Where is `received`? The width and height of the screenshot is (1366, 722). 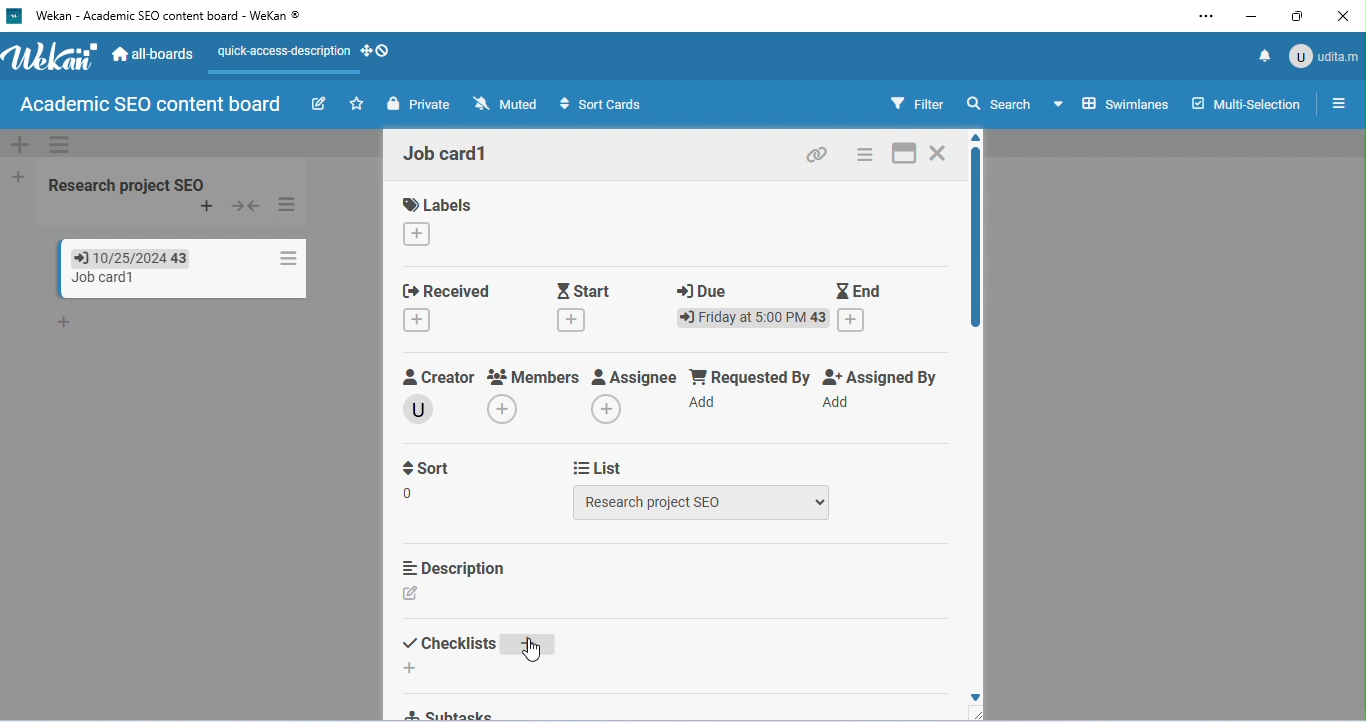 received is located at coordinates (446, 289).